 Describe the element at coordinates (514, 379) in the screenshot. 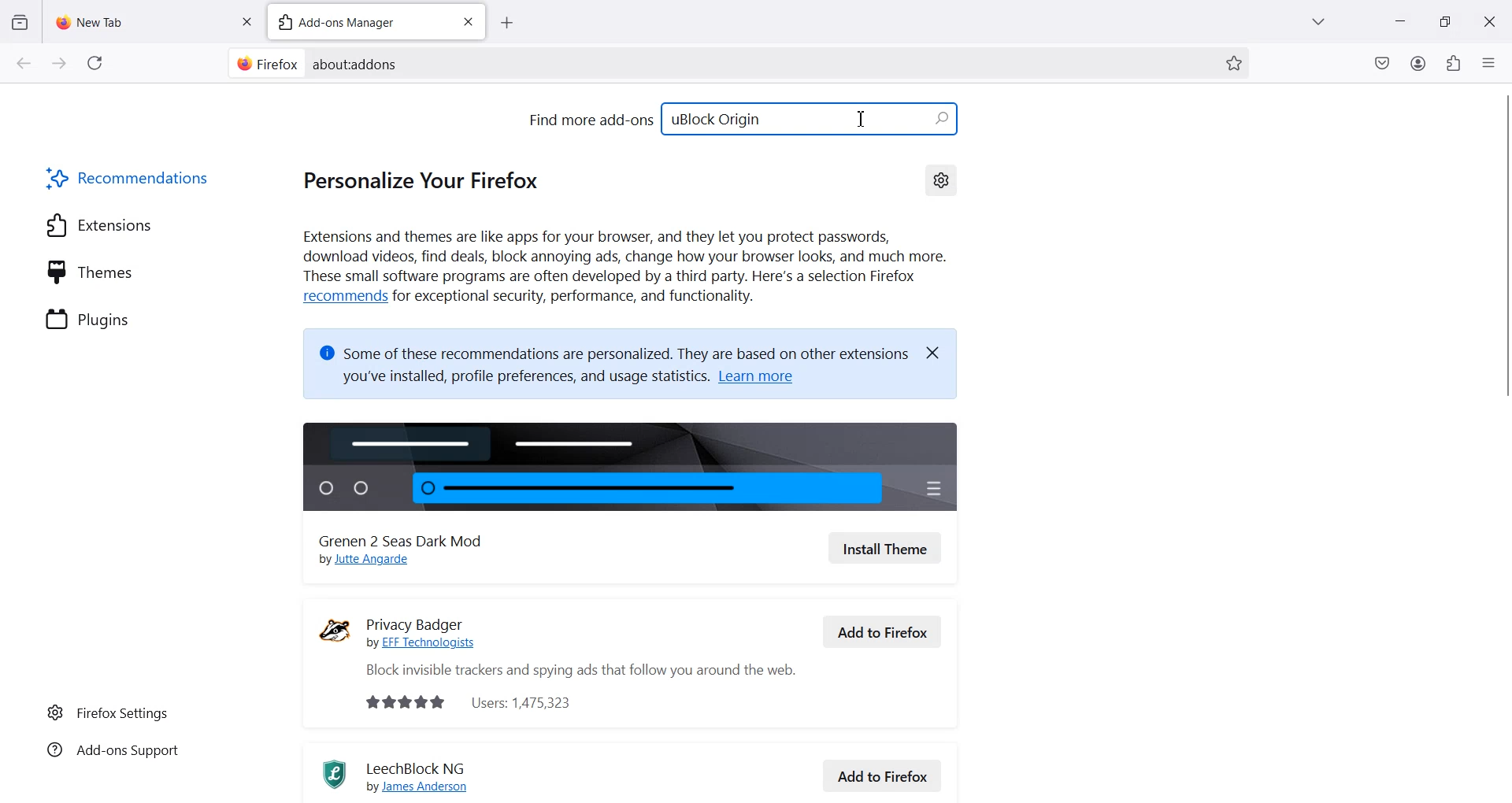

I see `you've installed, profile preferences, and usage statistics.` at that location.